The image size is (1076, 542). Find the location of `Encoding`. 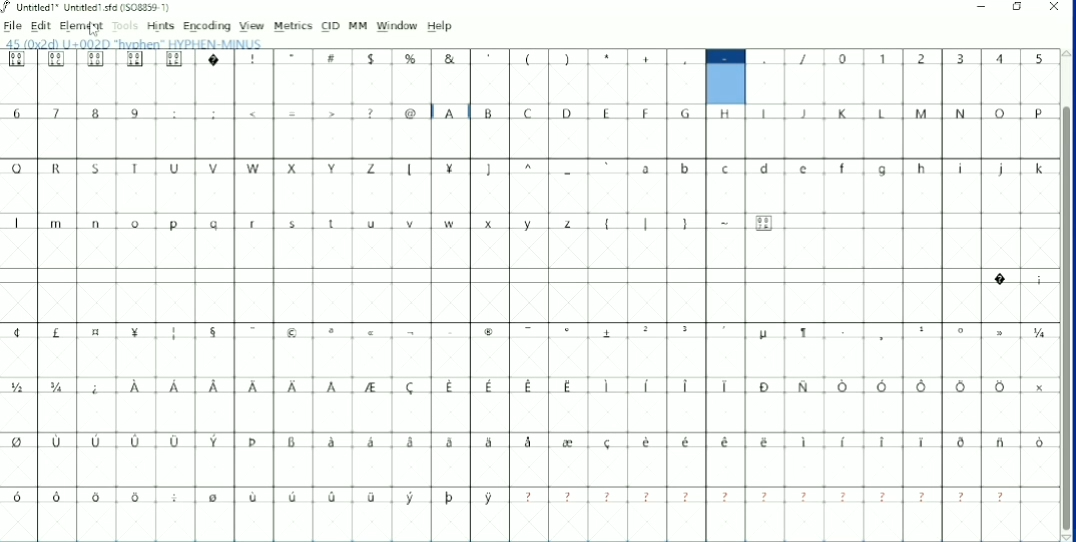

Encoding is located at coordinates (206, 26).